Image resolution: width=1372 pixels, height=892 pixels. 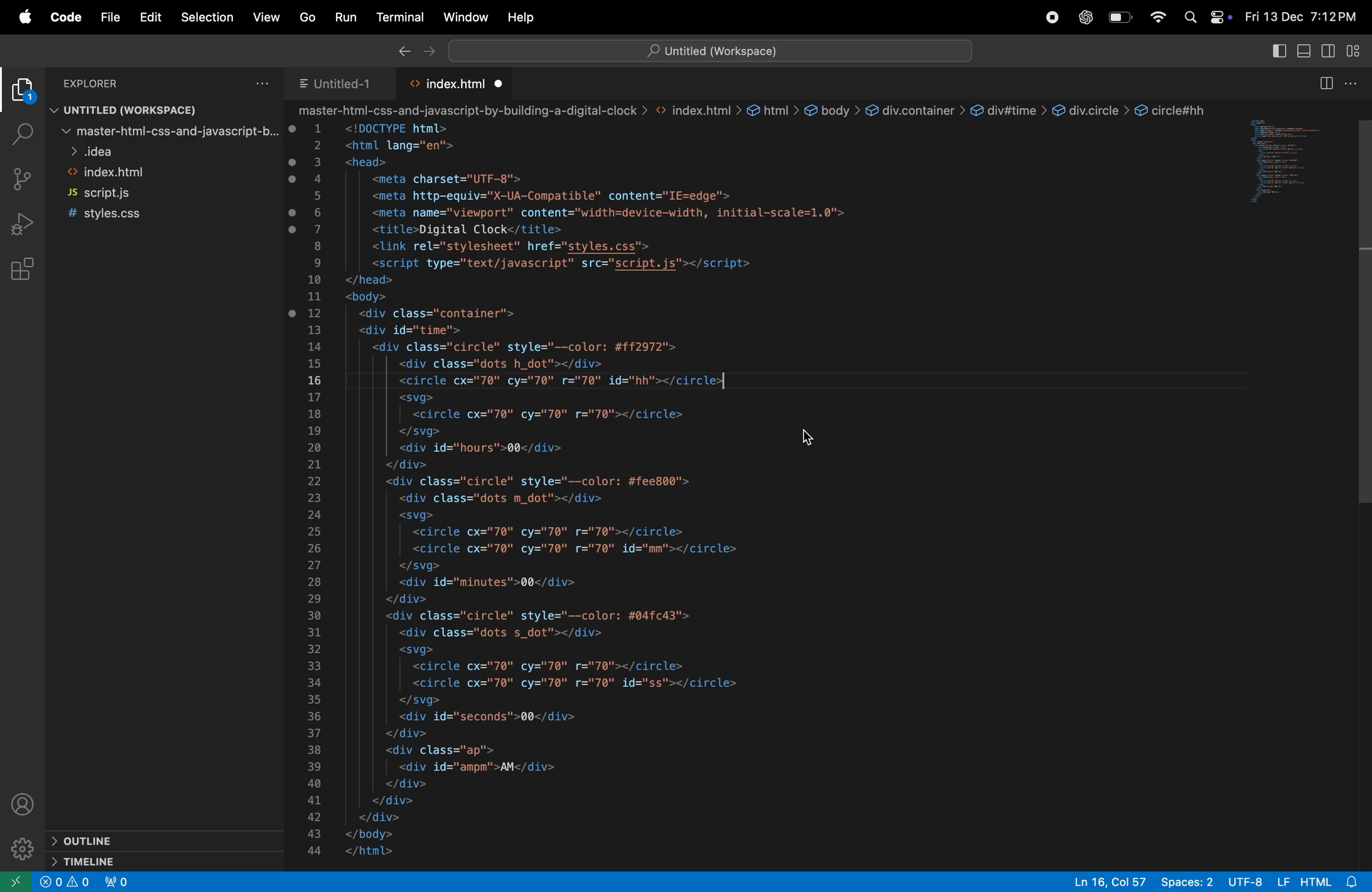 I want to click on edit, so click(x=151, y=16).